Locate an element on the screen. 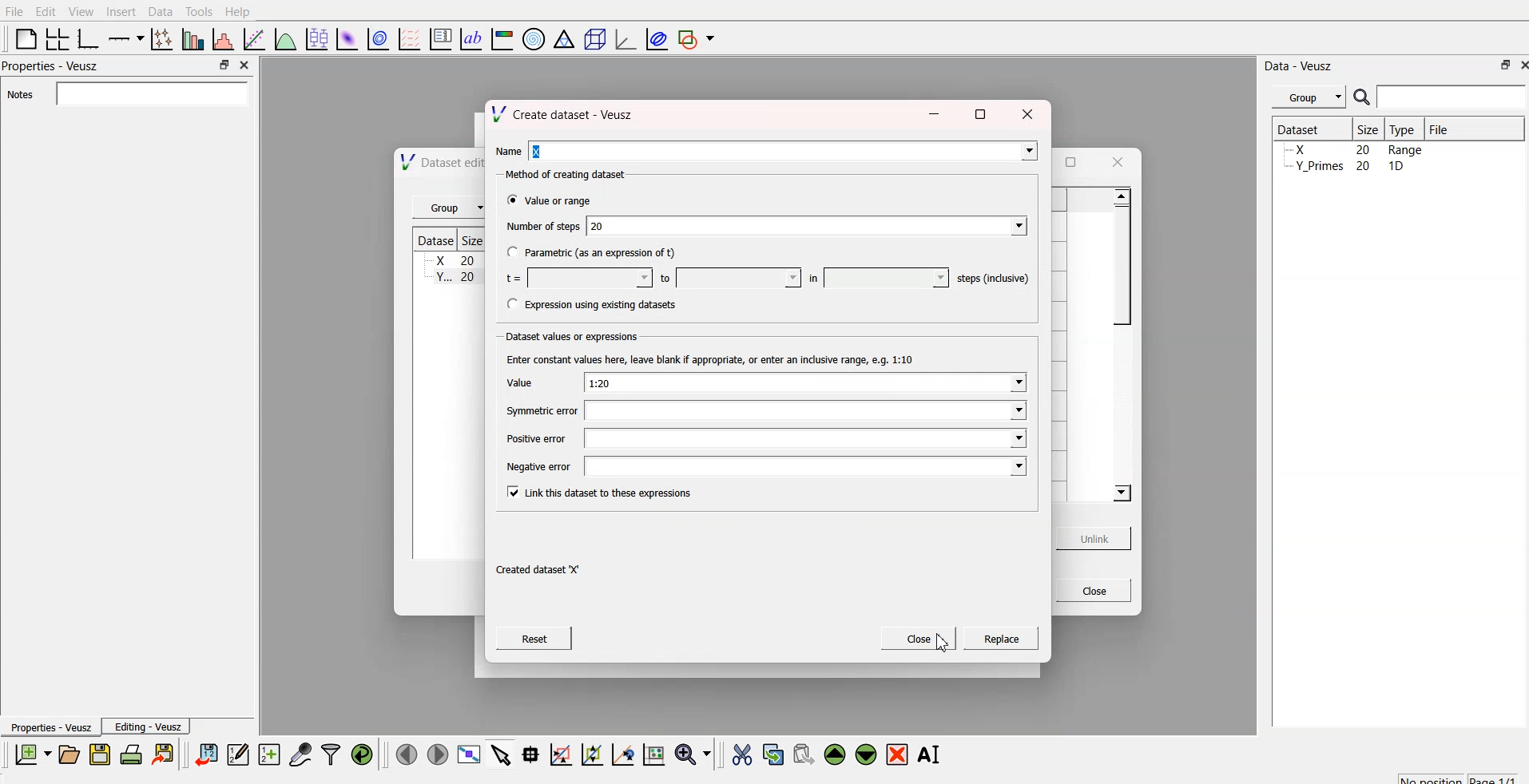 The image size is (1529, 784). plot function is located at coordinates (284, 39).